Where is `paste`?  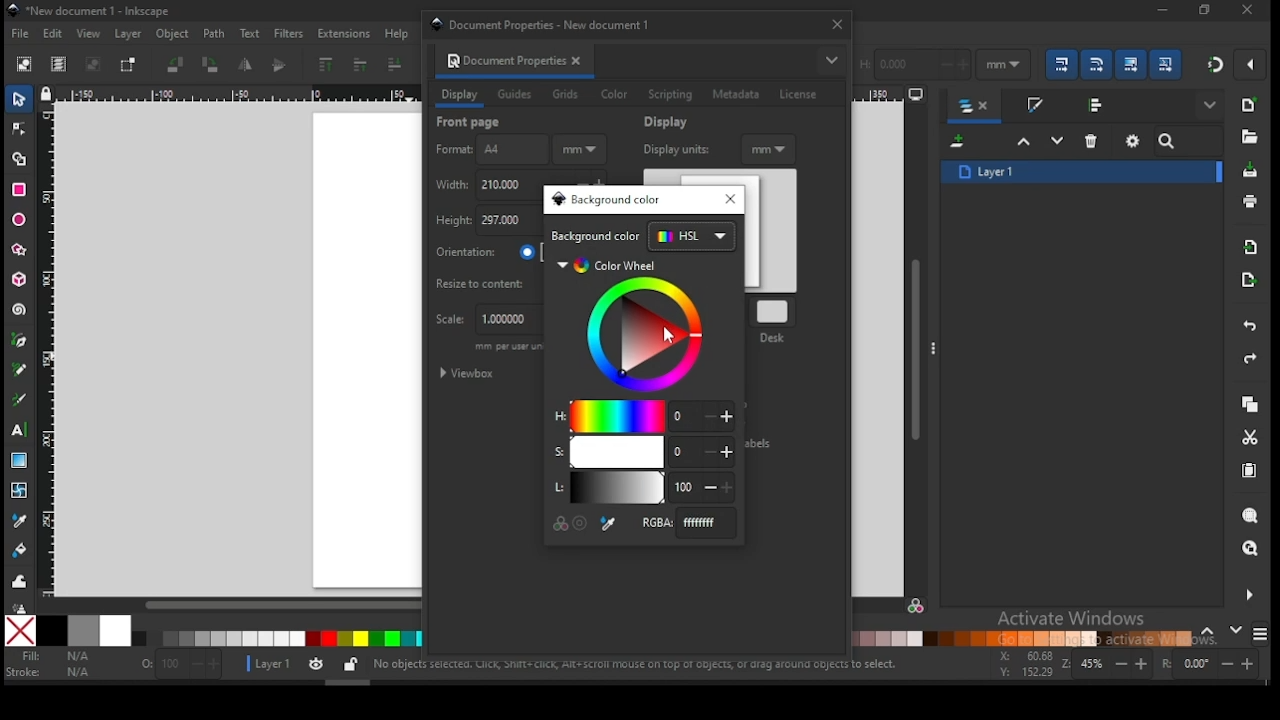 paste is located at coordinates (1253, 473).